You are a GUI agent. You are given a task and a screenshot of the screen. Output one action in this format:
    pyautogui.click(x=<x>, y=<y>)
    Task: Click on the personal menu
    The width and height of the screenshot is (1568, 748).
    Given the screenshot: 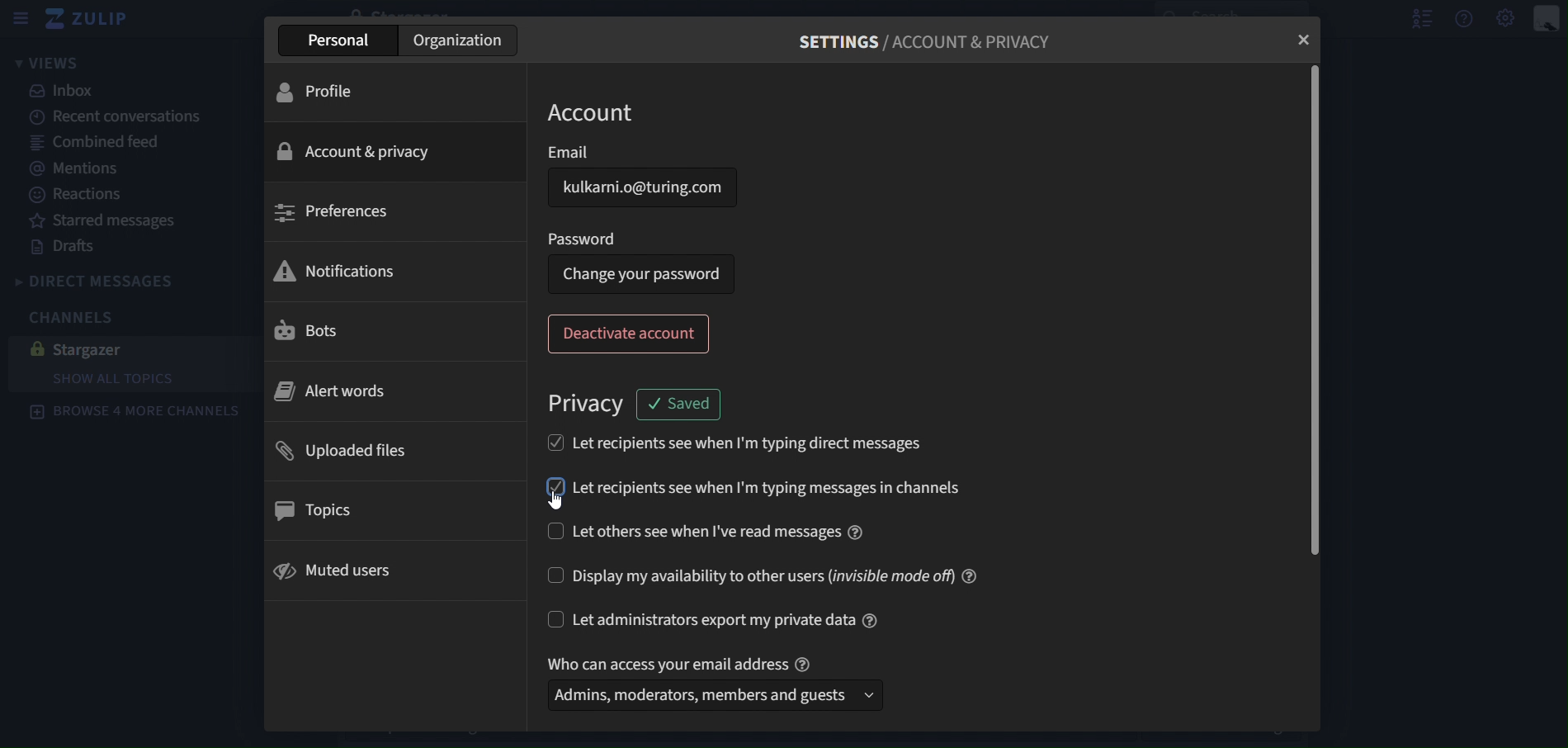 What is the action you would take?
    pyautogui.click(x=1543, y=19)
    